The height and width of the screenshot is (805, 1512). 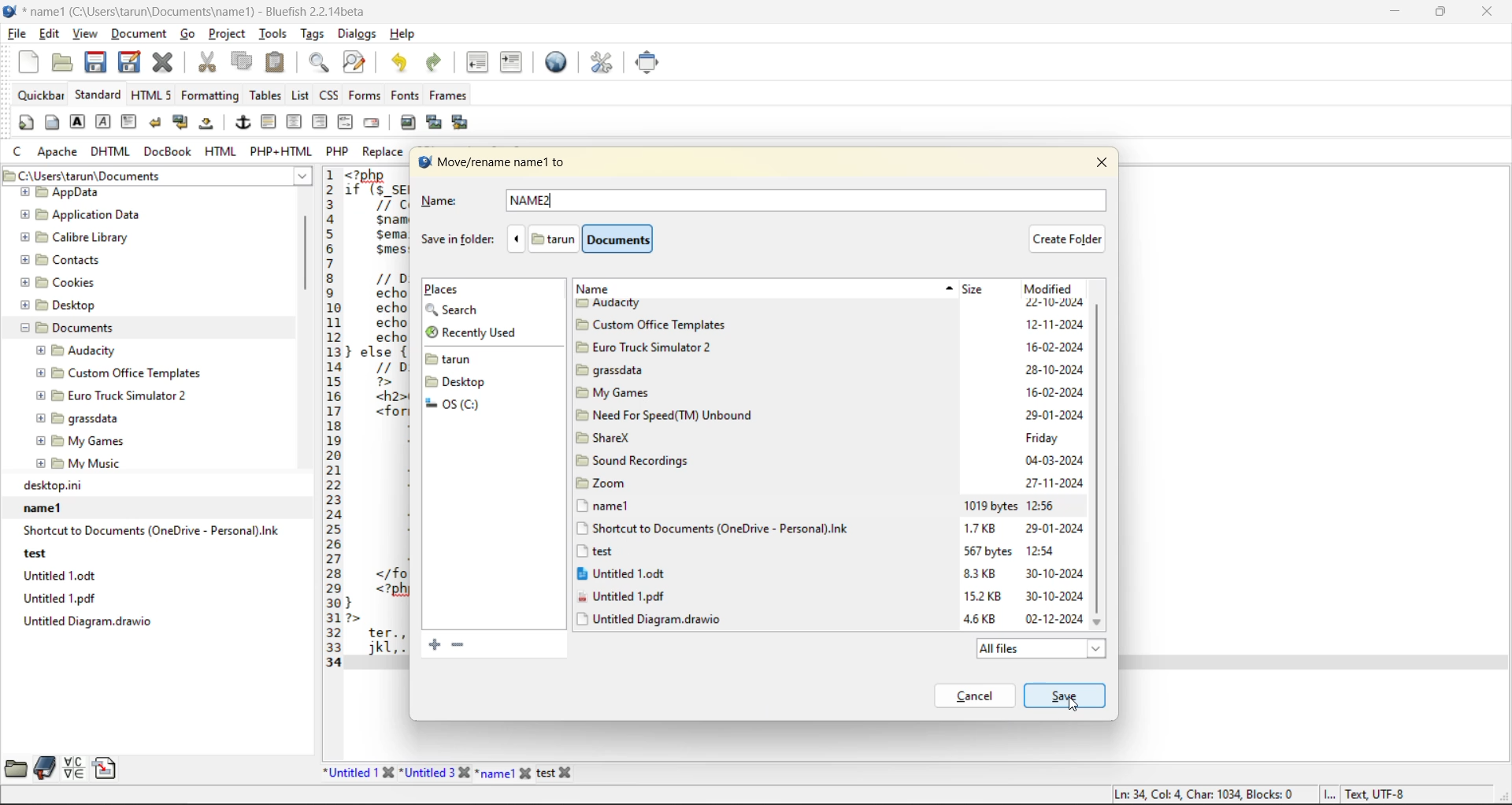 I want to click on file, so click(x=17, y=34).